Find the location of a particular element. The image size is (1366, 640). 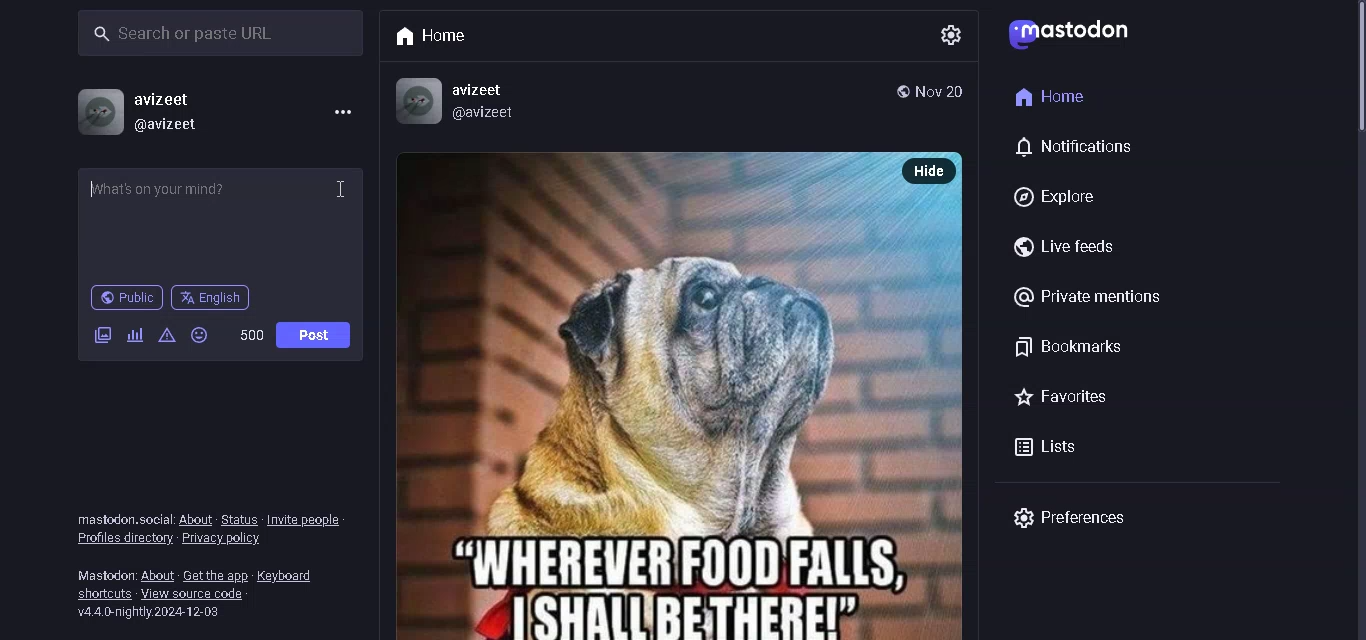

language is located at coordinates (212, 297).